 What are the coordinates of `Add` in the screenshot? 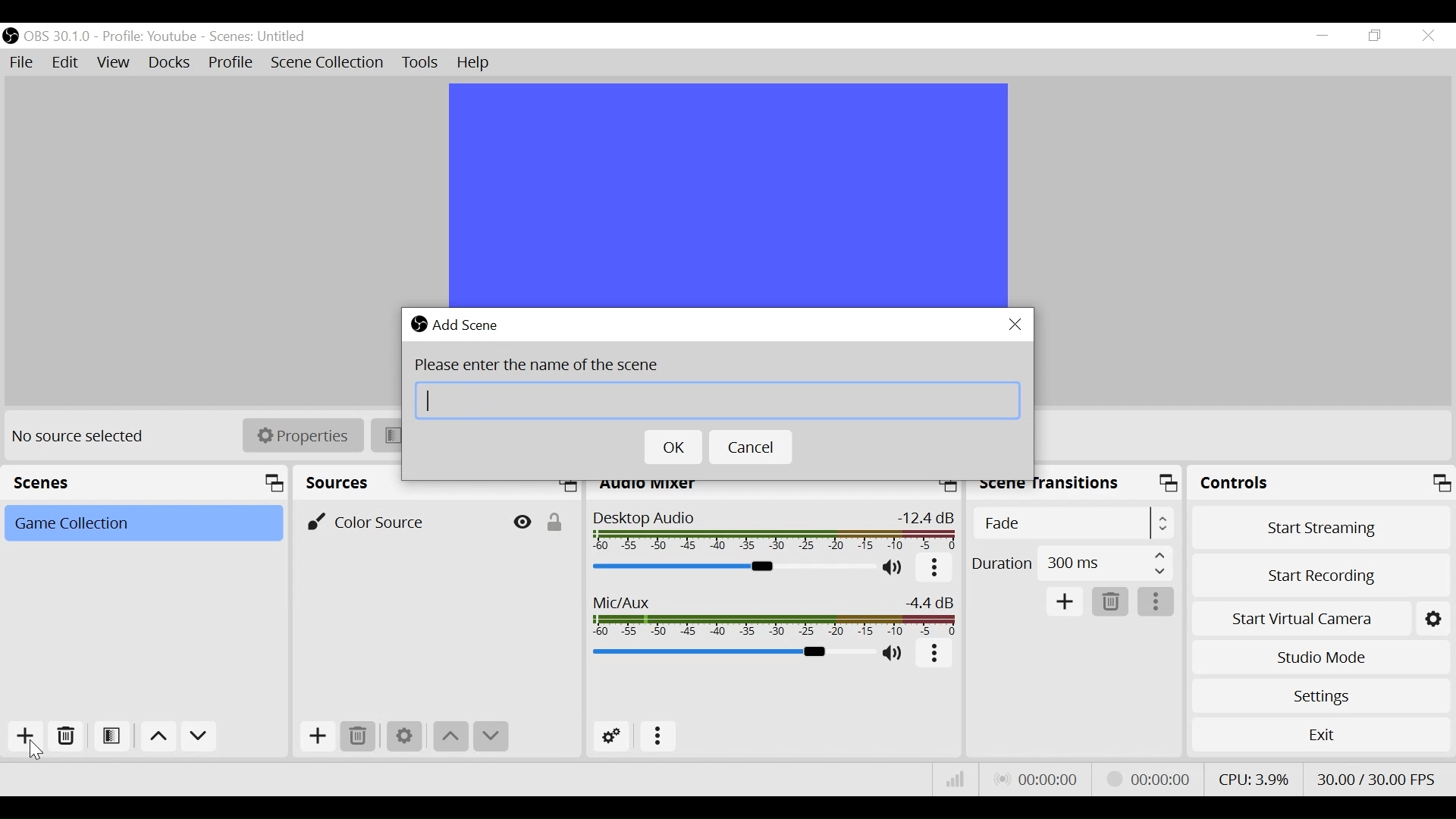 It's located at (1065, 601).